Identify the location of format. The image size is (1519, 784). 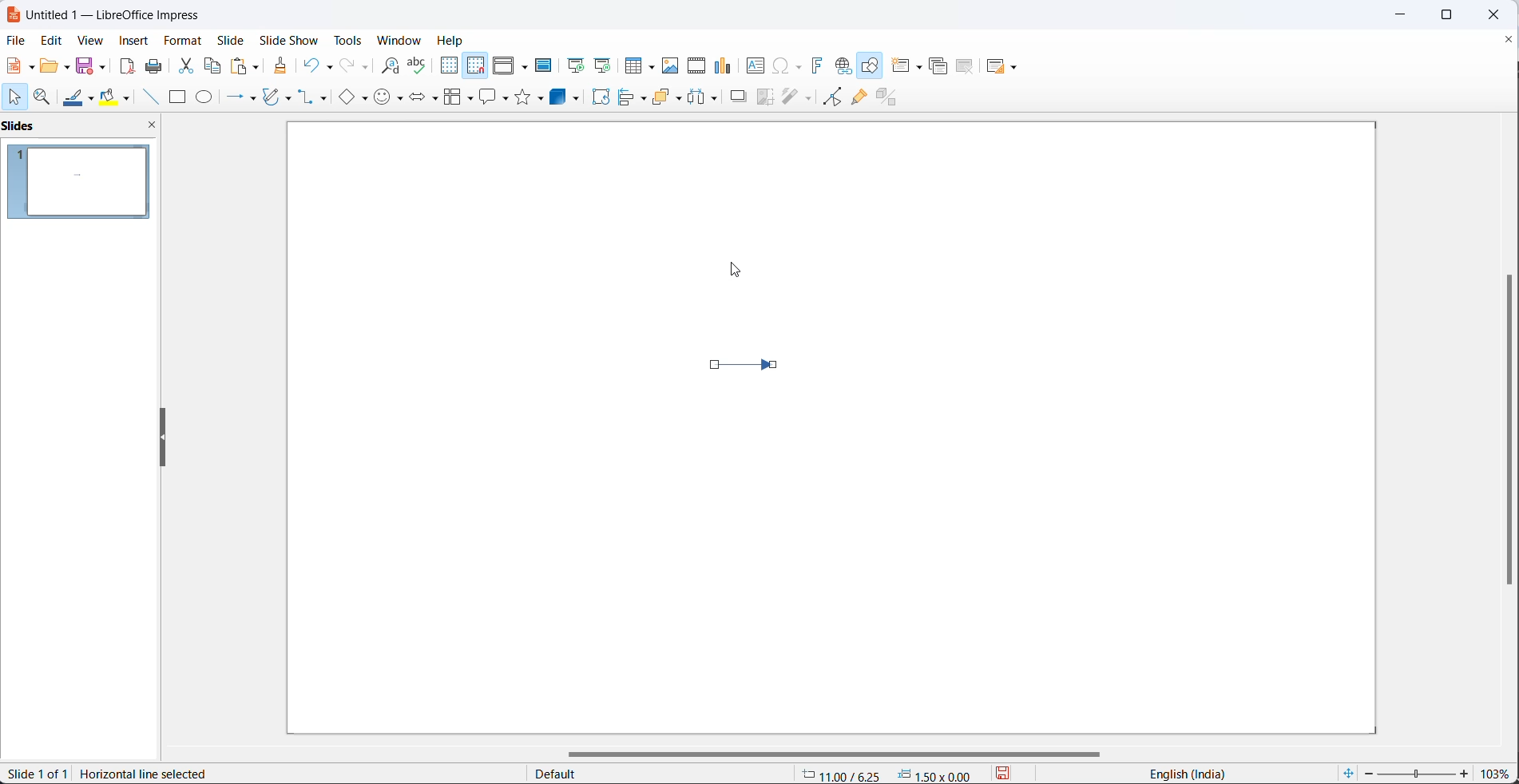
(184, 40).